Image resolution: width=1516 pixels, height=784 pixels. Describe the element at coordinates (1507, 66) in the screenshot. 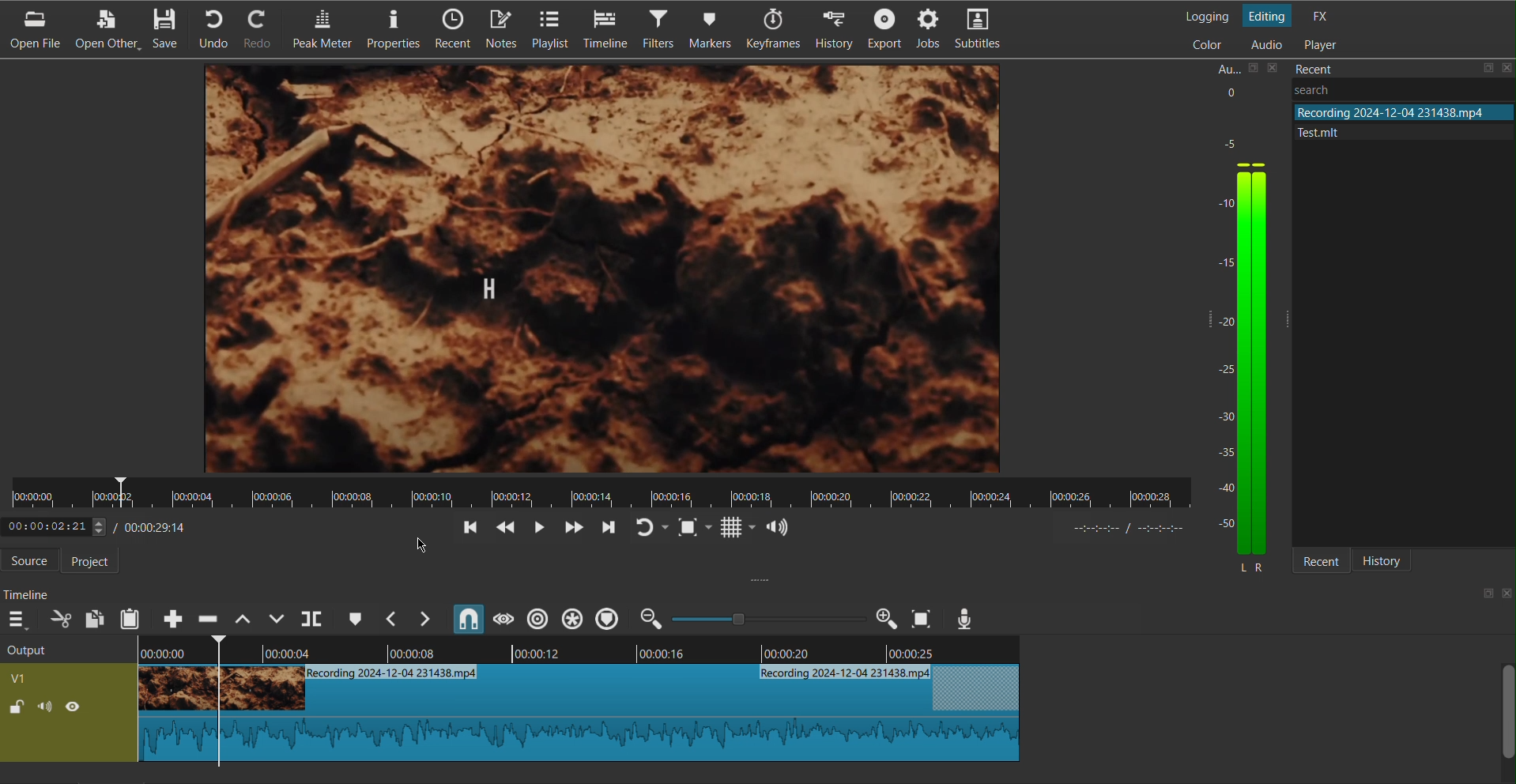

I see `close` at that location.